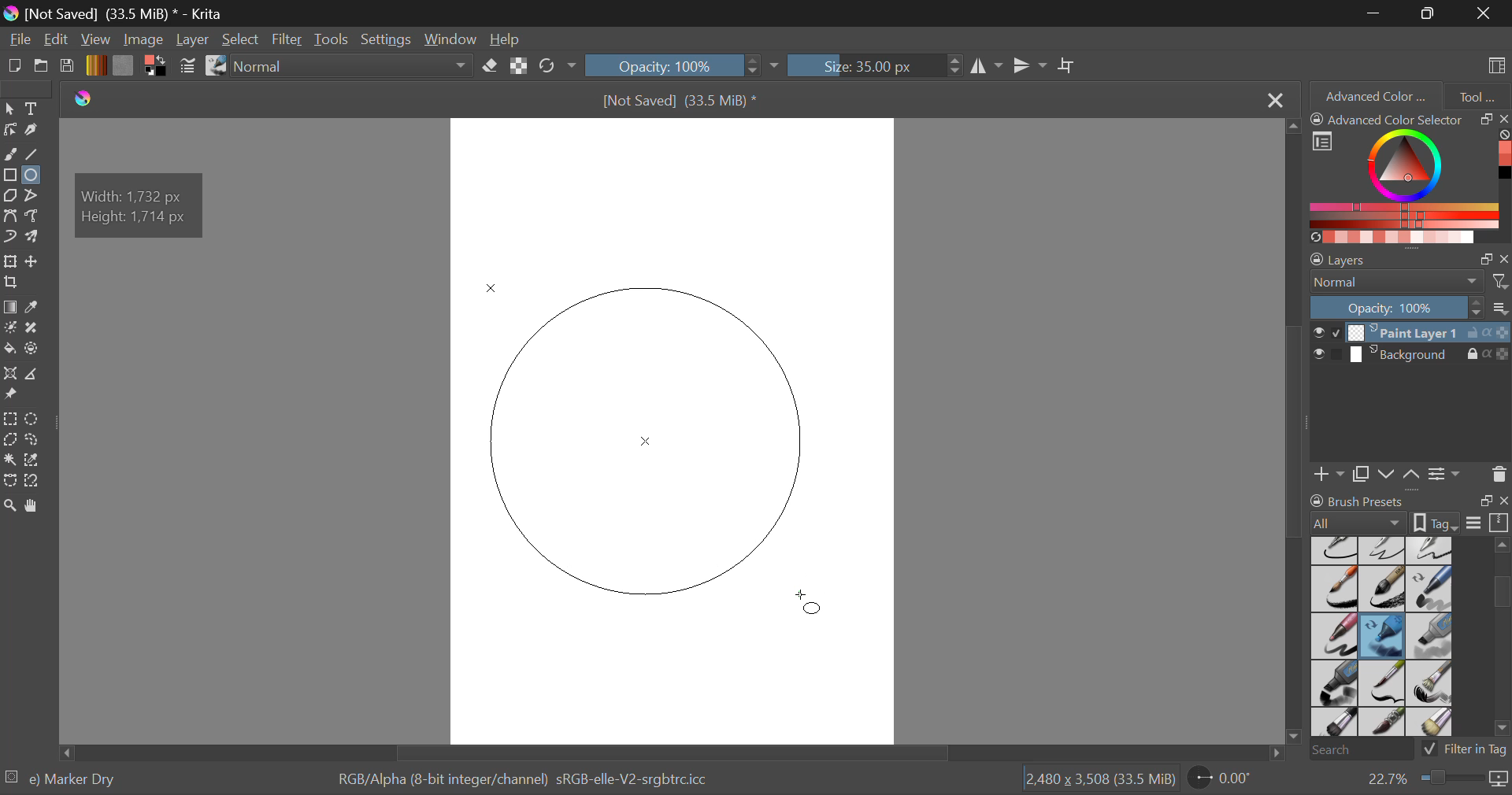  What do you see at coordinates (1069, 66) in the screenshot?
I see `Crop` at bounding box center [1069, 66].